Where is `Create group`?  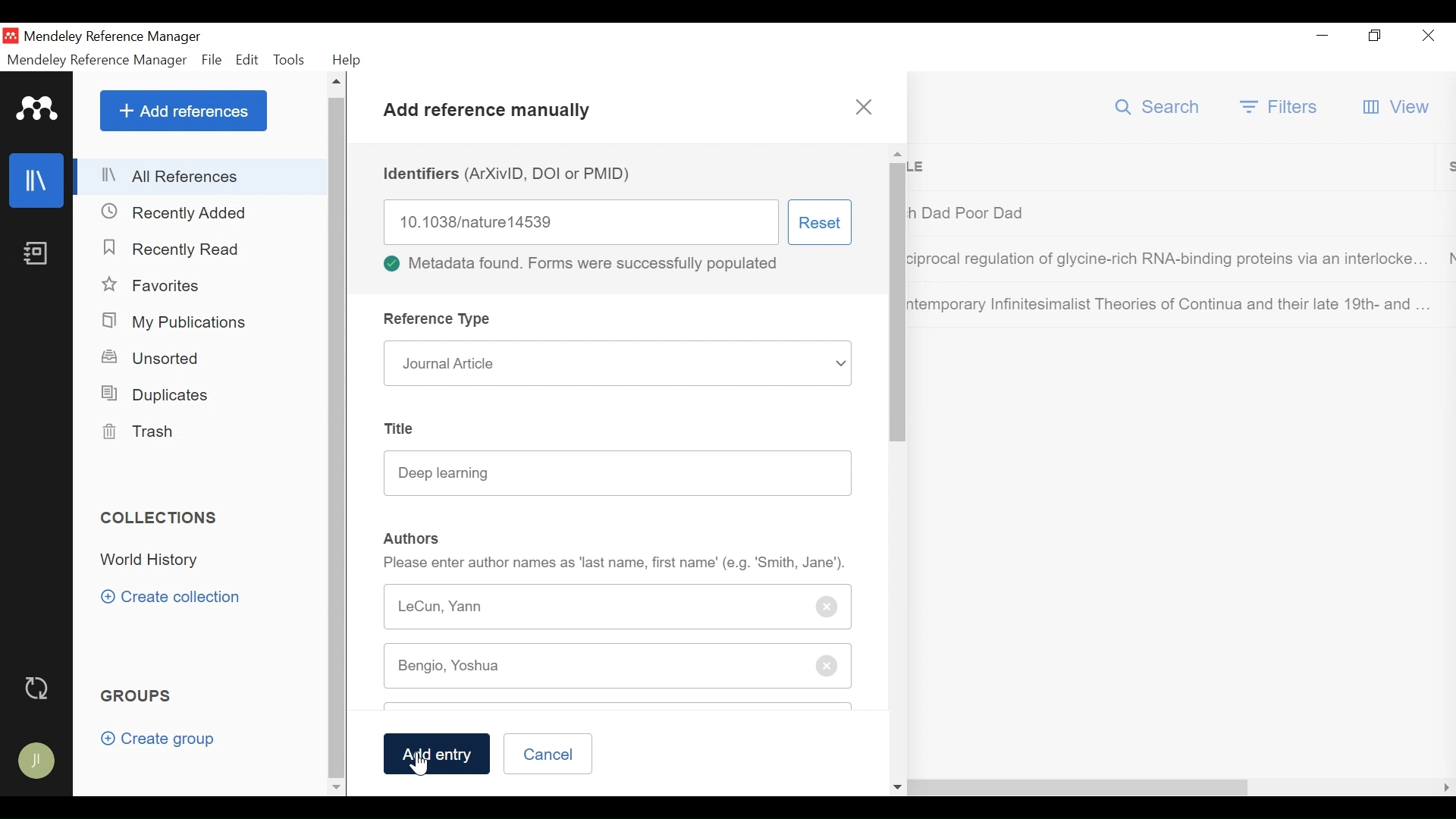
Create group is located at coordinates (161, 739).